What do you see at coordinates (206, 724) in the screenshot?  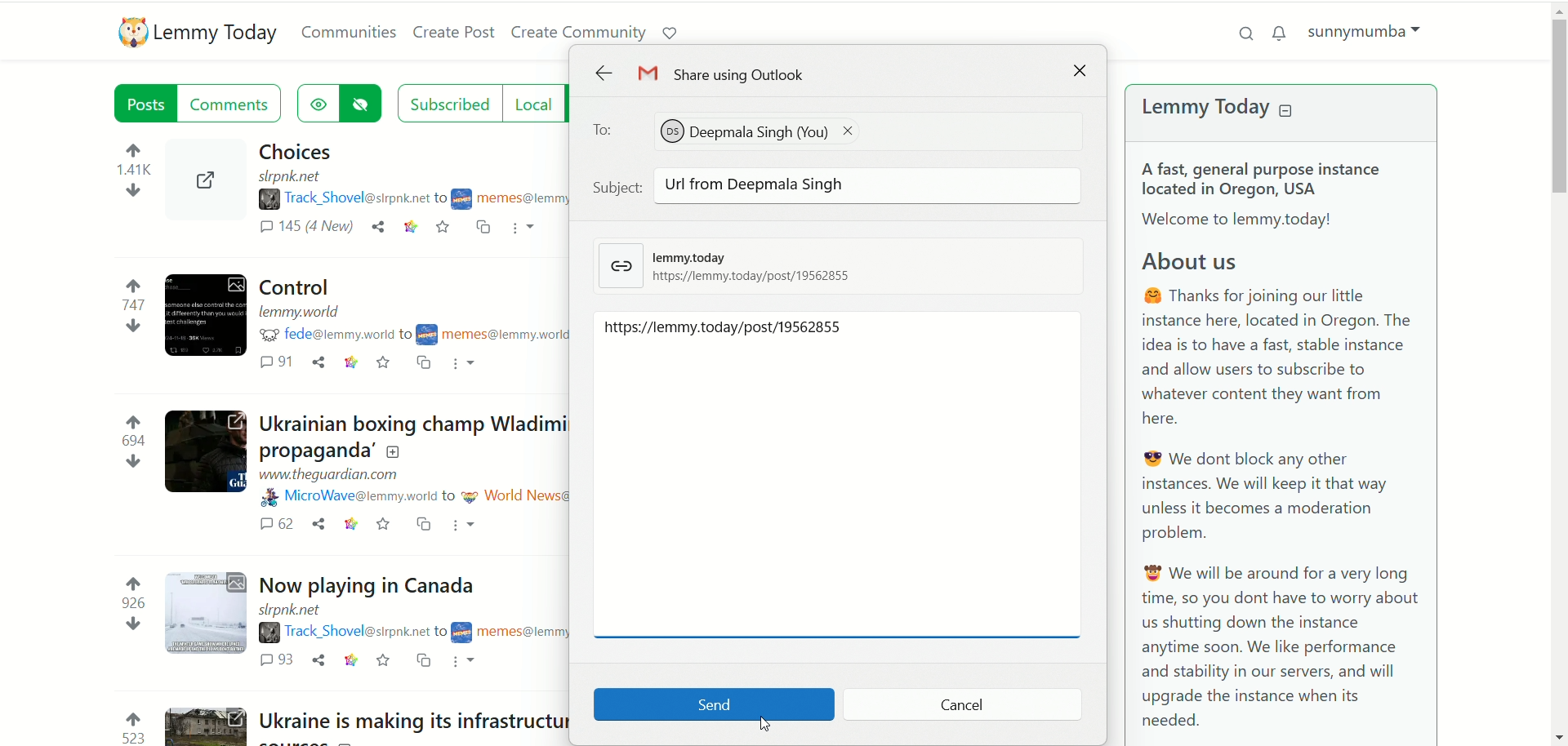 I see `Expand the post with the image` at bounding box center [206, 724].